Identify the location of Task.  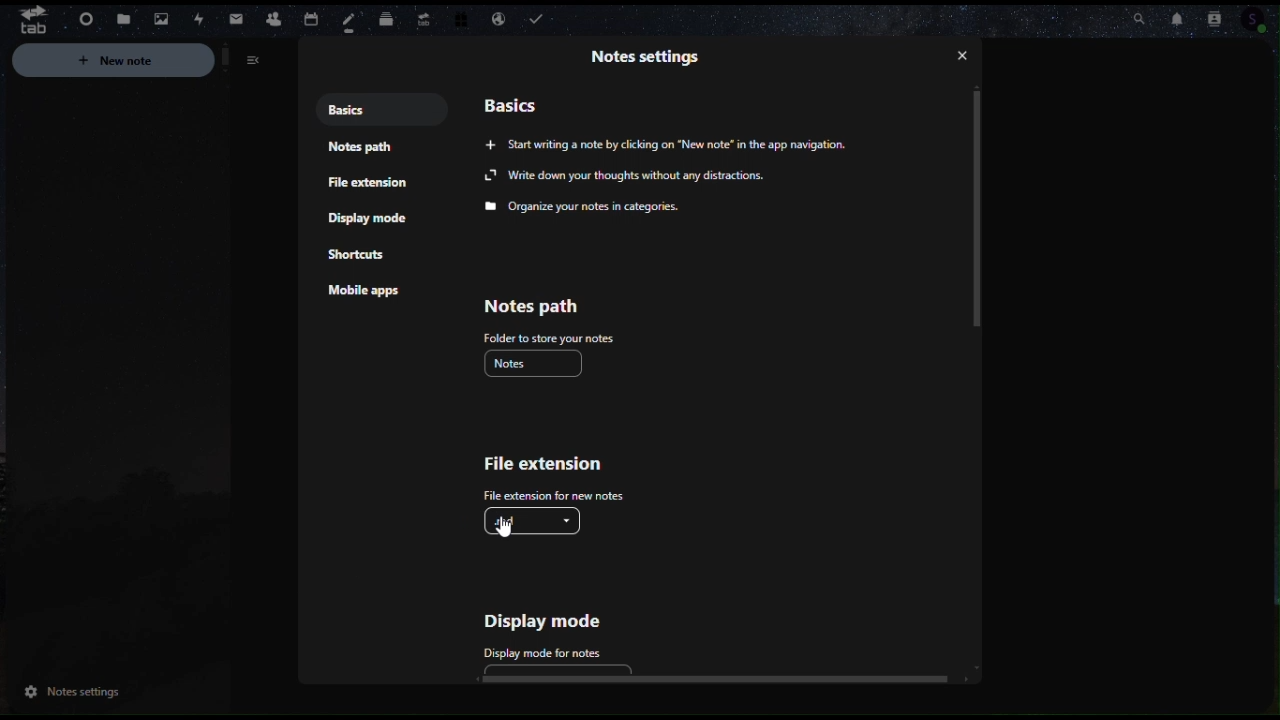
(540, 20).